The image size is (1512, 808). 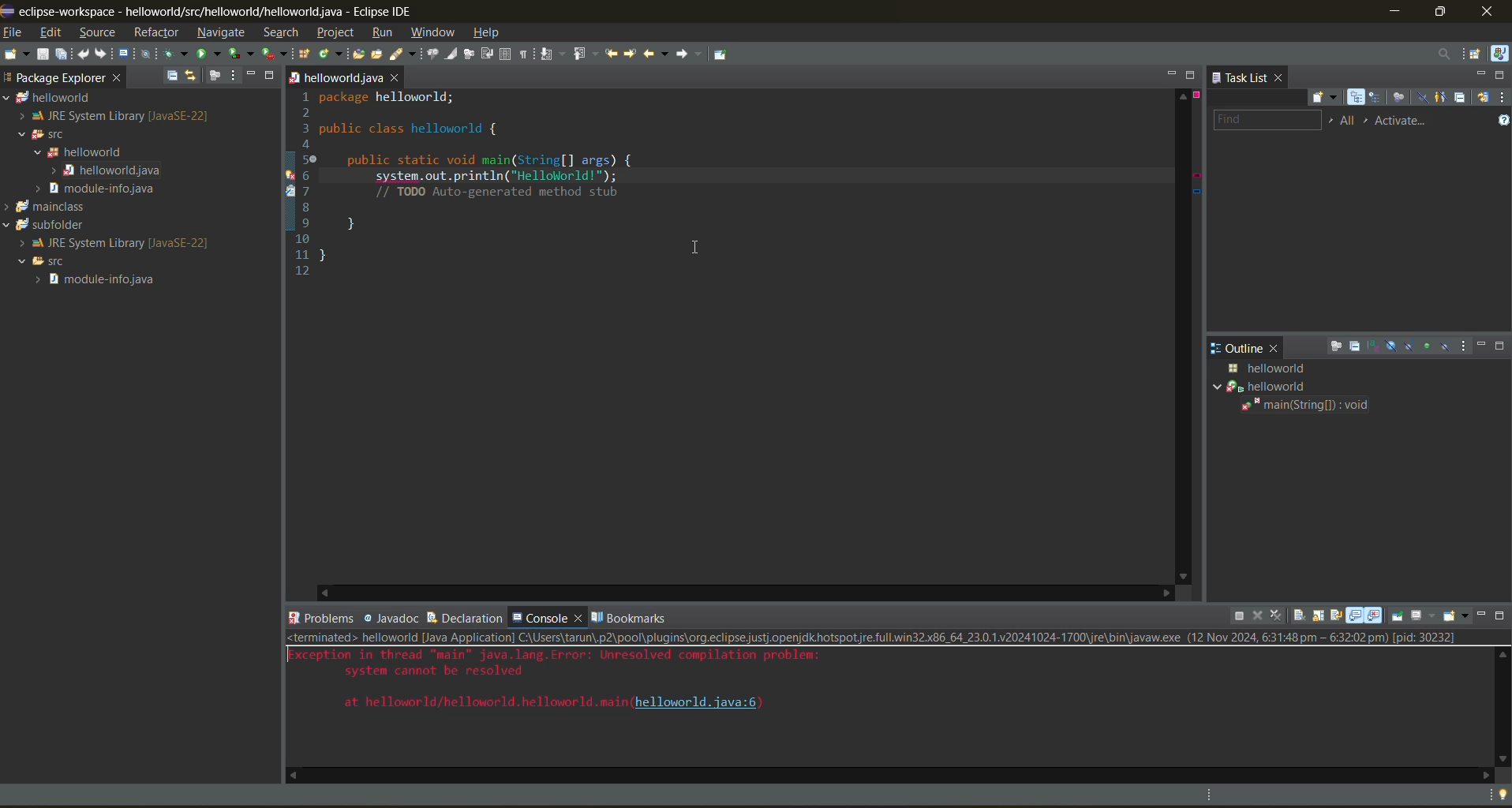 I want to click on activate, so click(x=1402, y=122).